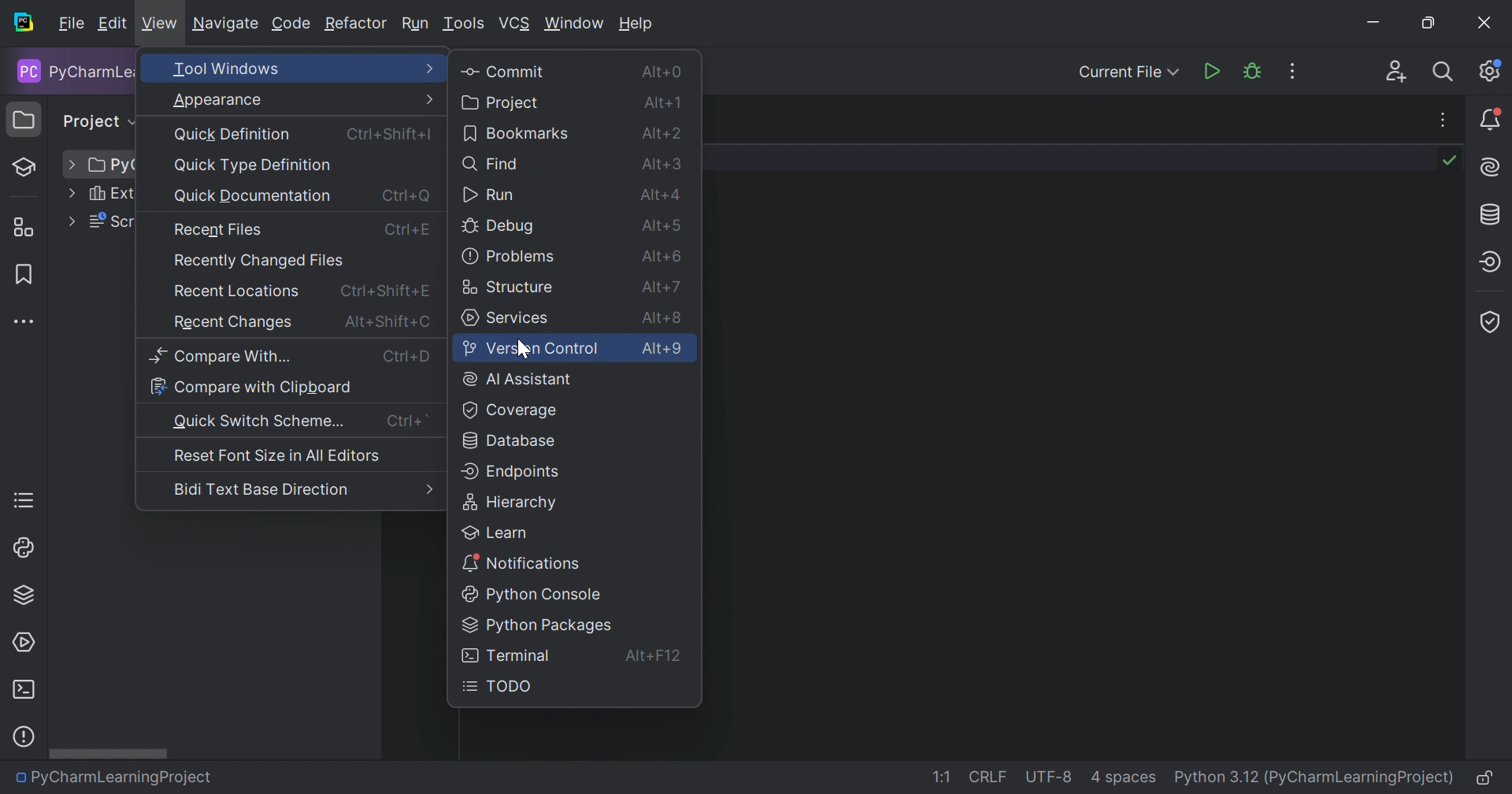  Describe the element at coordinates (1049, 777) in the screenshot. I see `UTF-8` at that location.